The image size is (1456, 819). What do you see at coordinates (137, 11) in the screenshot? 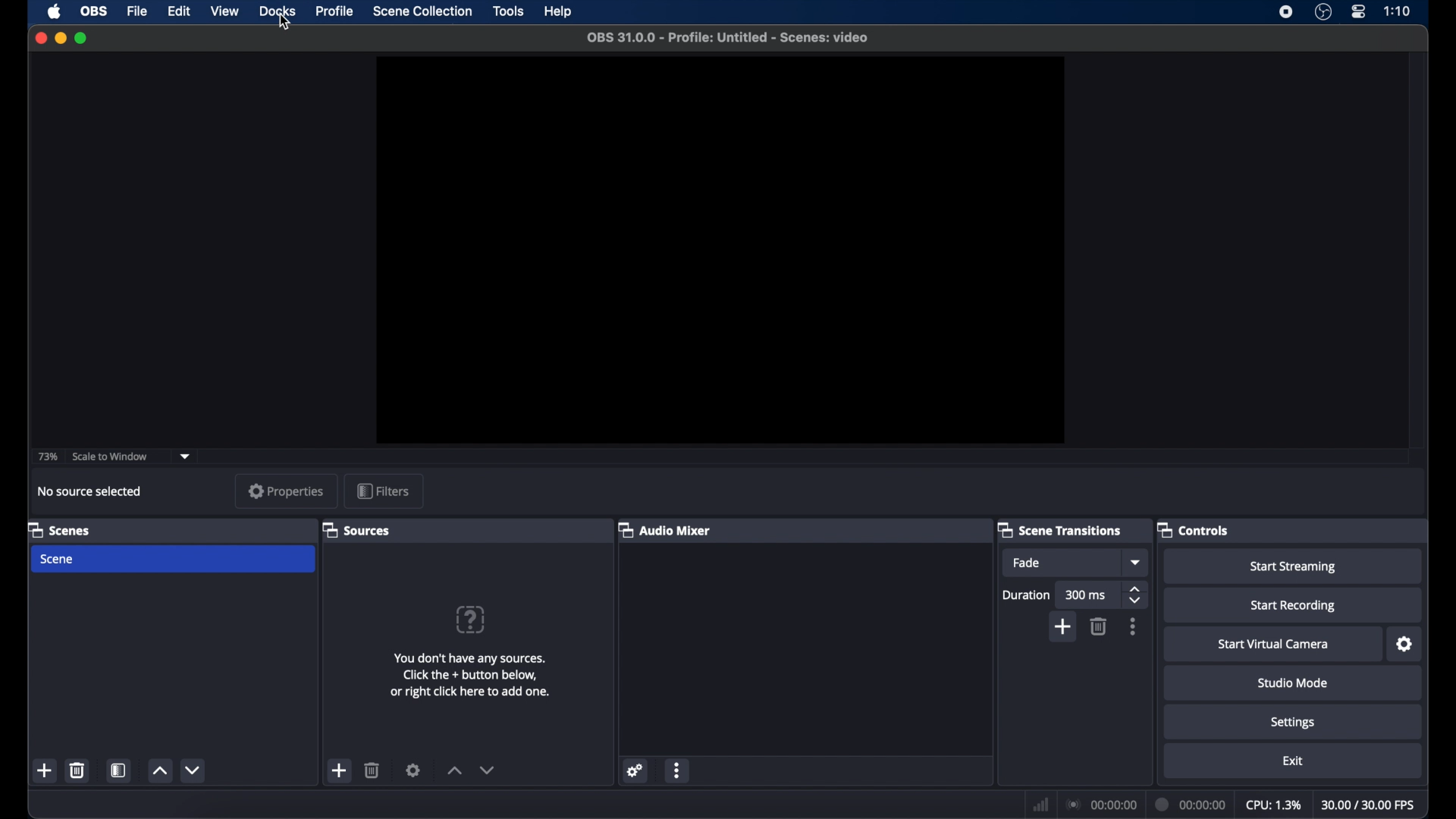
I see `file` at bounding box center [137, 11].